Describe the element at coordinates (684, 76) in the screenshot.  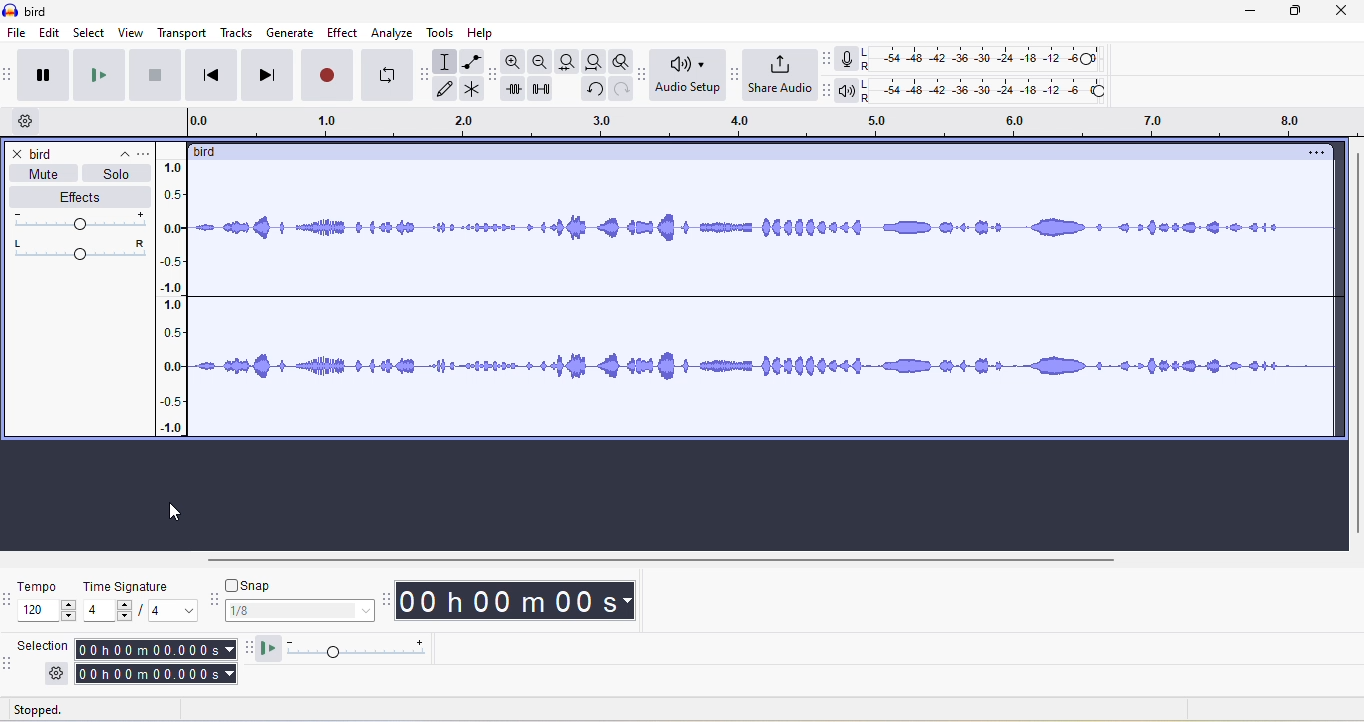
I see `audio setup` at that location.